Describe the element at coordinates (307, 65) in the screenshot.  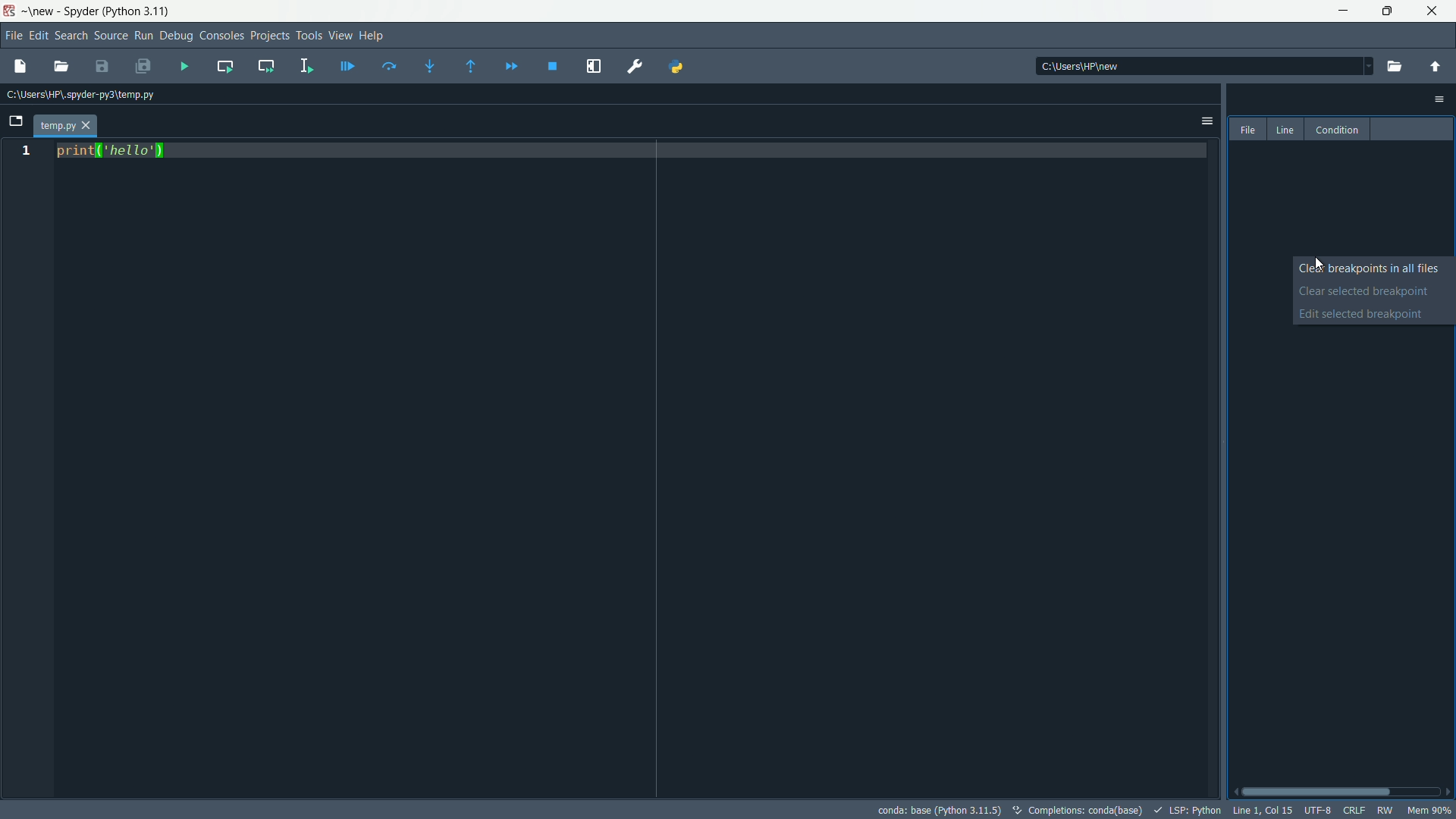
I see `run selection` at that location.